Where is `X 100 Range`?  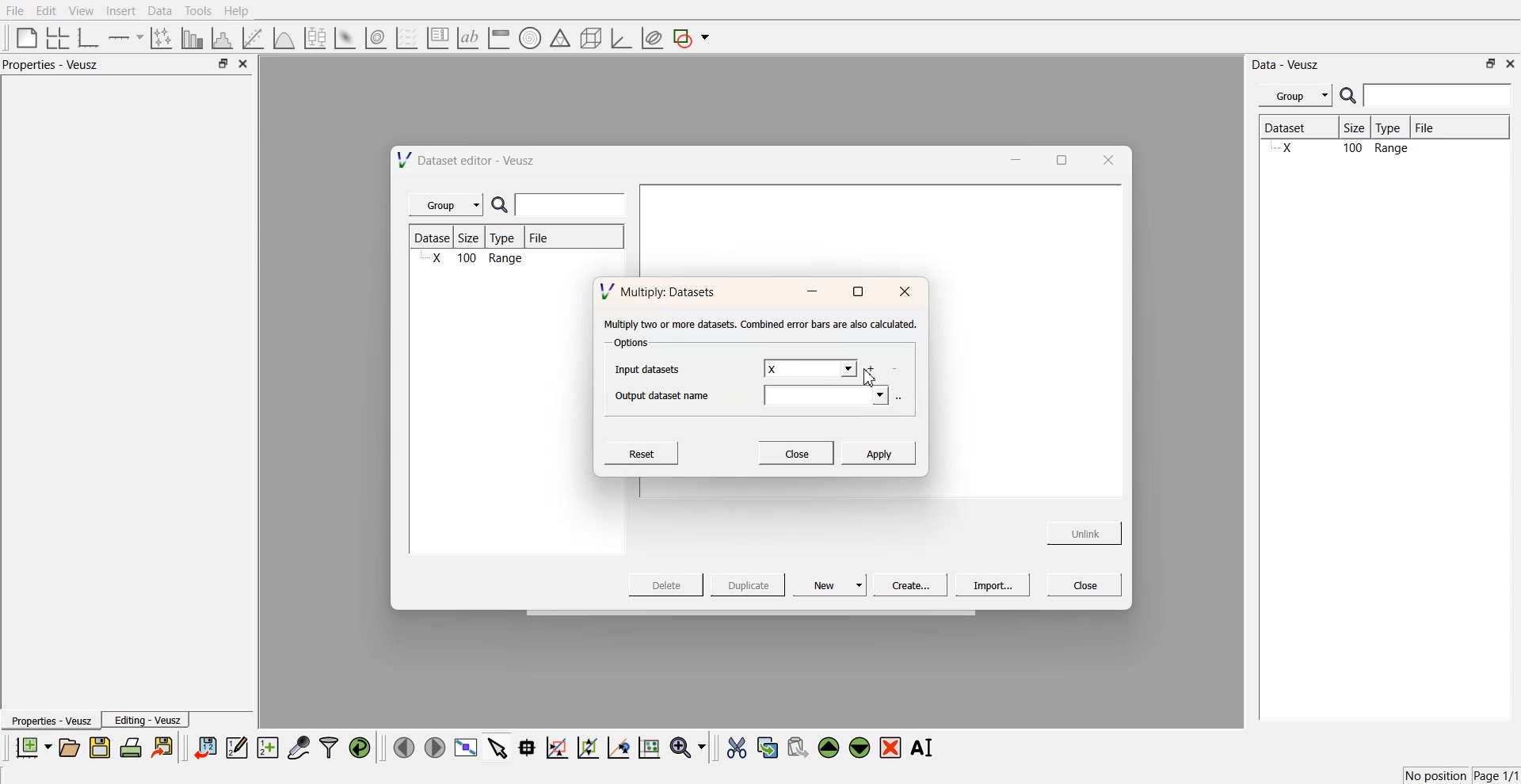
X 100 Range is located at coordinates (475, 260).